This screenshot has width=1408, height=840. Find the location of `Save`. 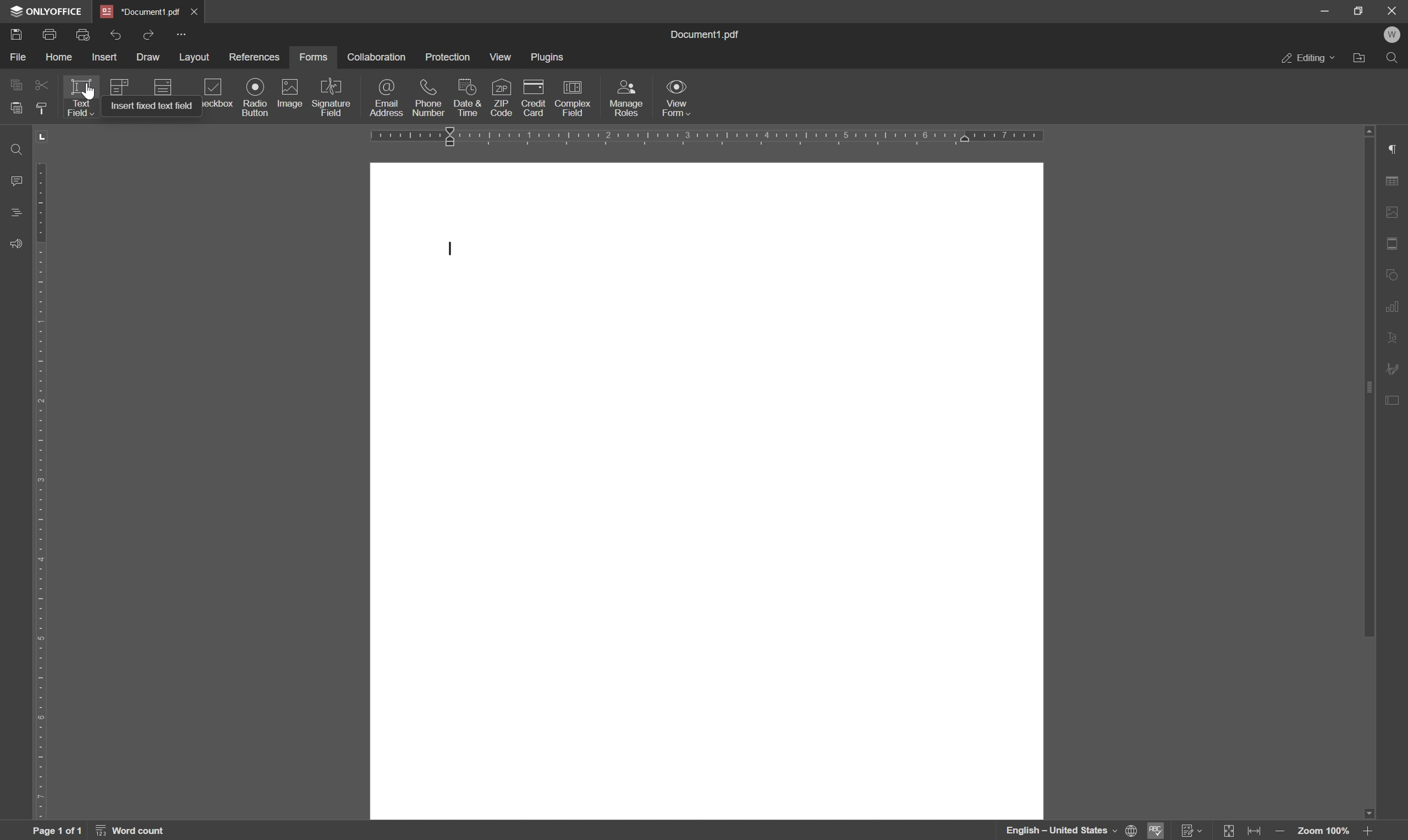

Save is located at coordinates (17, 36).